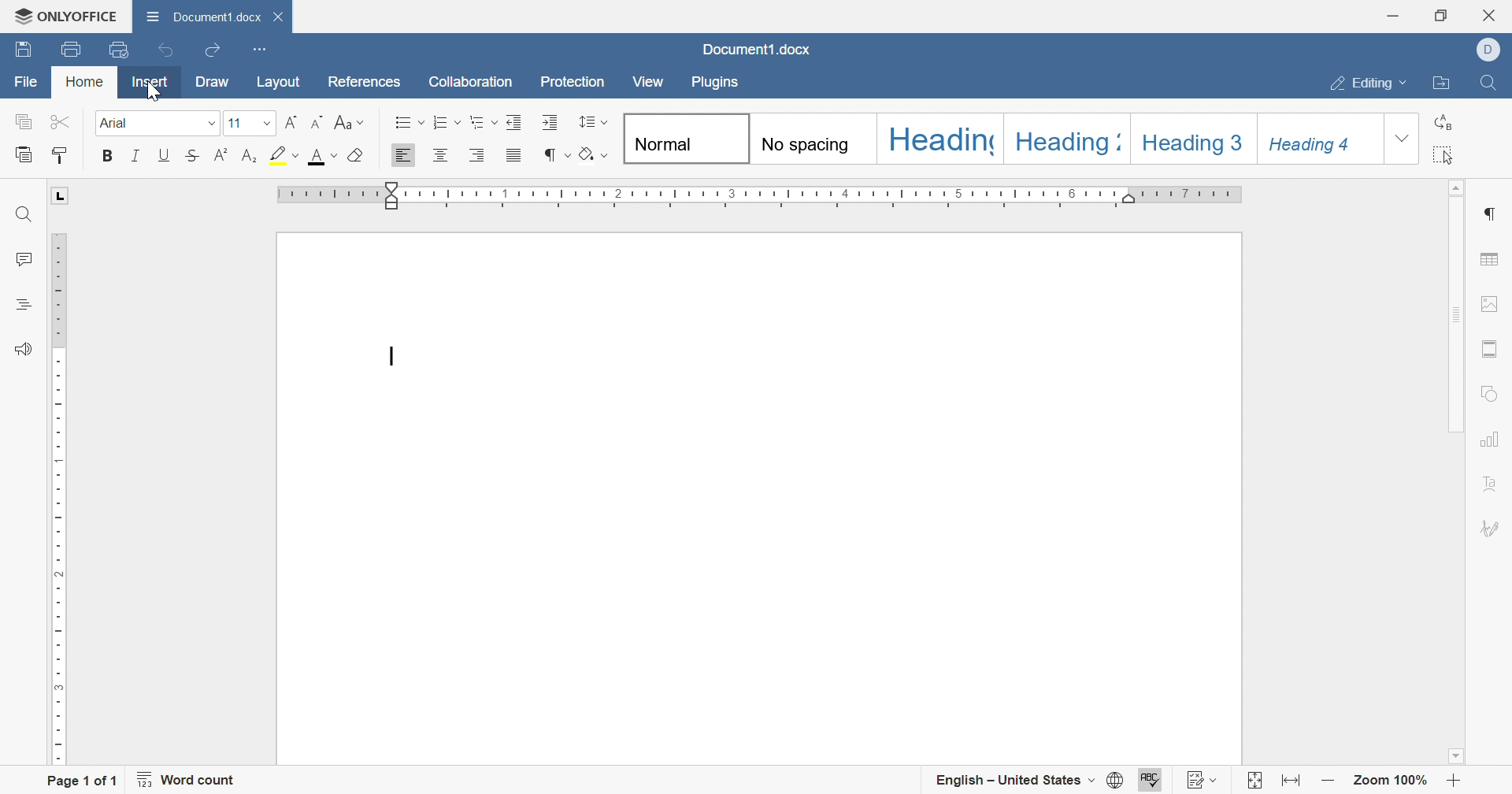 This screenshot has width=1512, height=794. What do you see at coordinates (1192, 140) in the screenshot?
I see `Heading 3` at bounding box center [1192, 140].